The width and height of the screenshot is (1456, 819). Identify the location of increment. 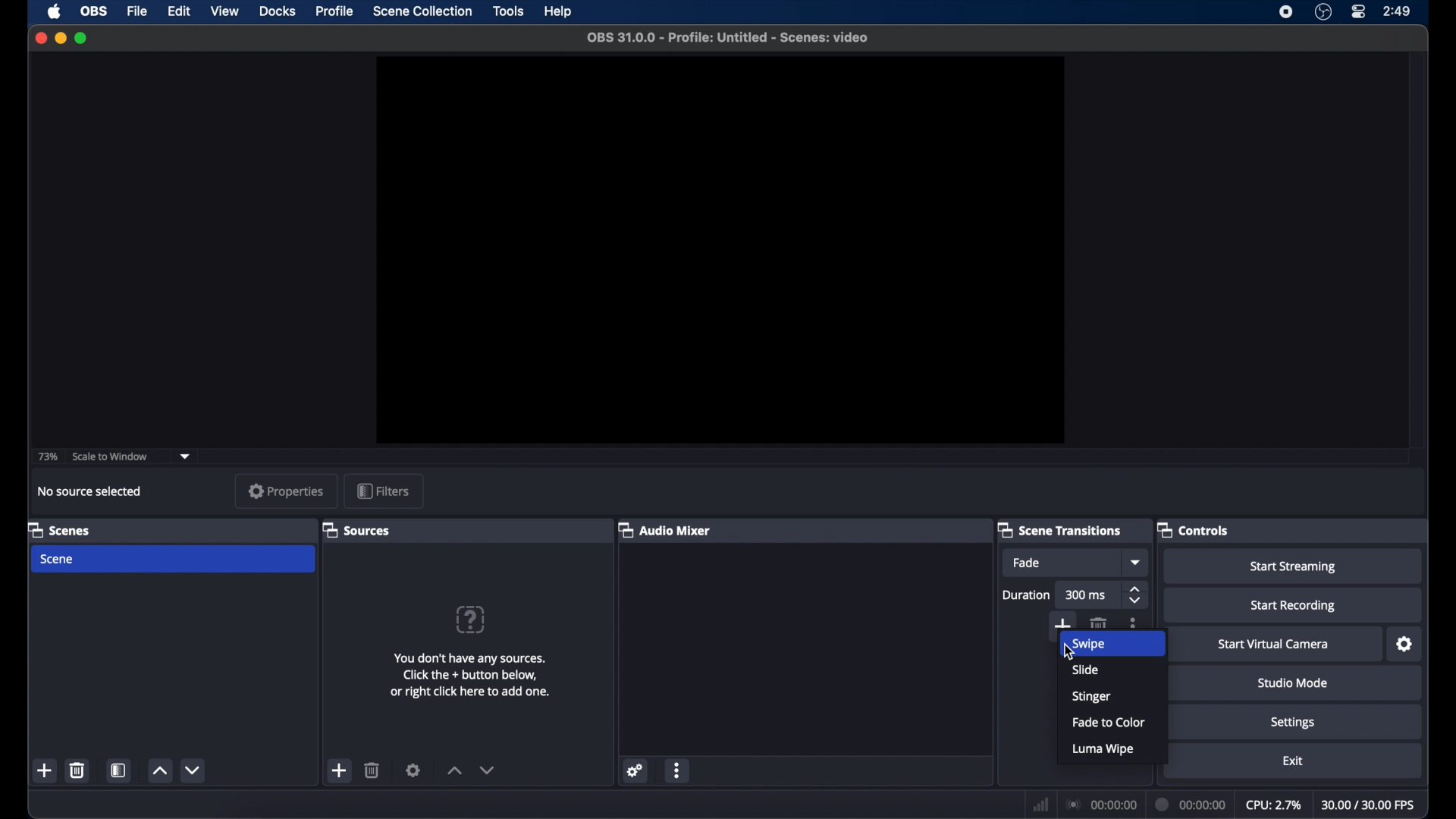
(159, 771).